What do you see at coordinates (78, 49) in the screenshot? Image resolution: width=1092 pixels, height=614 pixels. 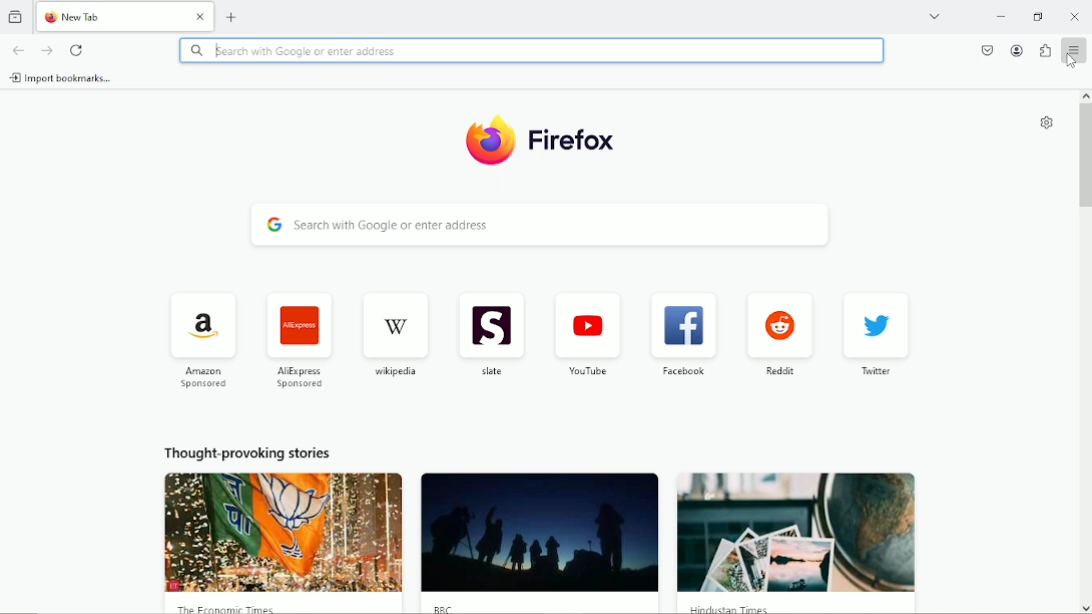 I see `reload current page` at bounding box center [78, 49].